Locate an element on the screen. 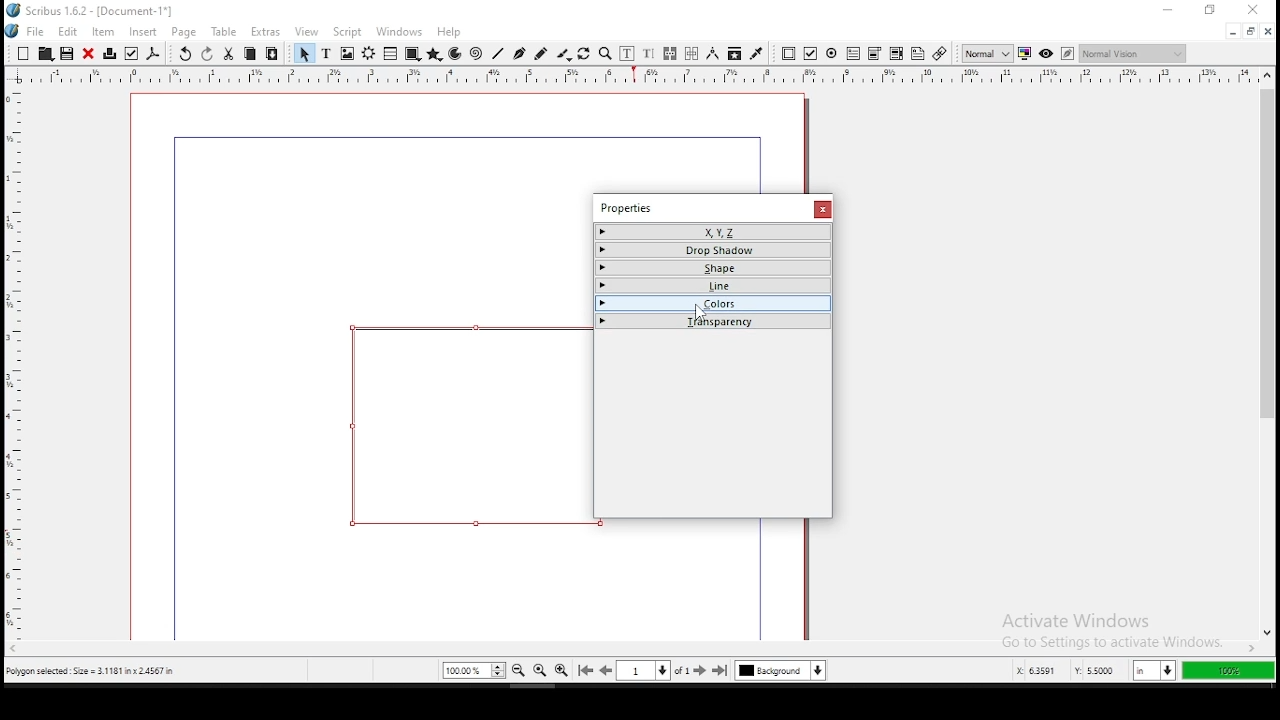  save is located at coordinates (66, 53).